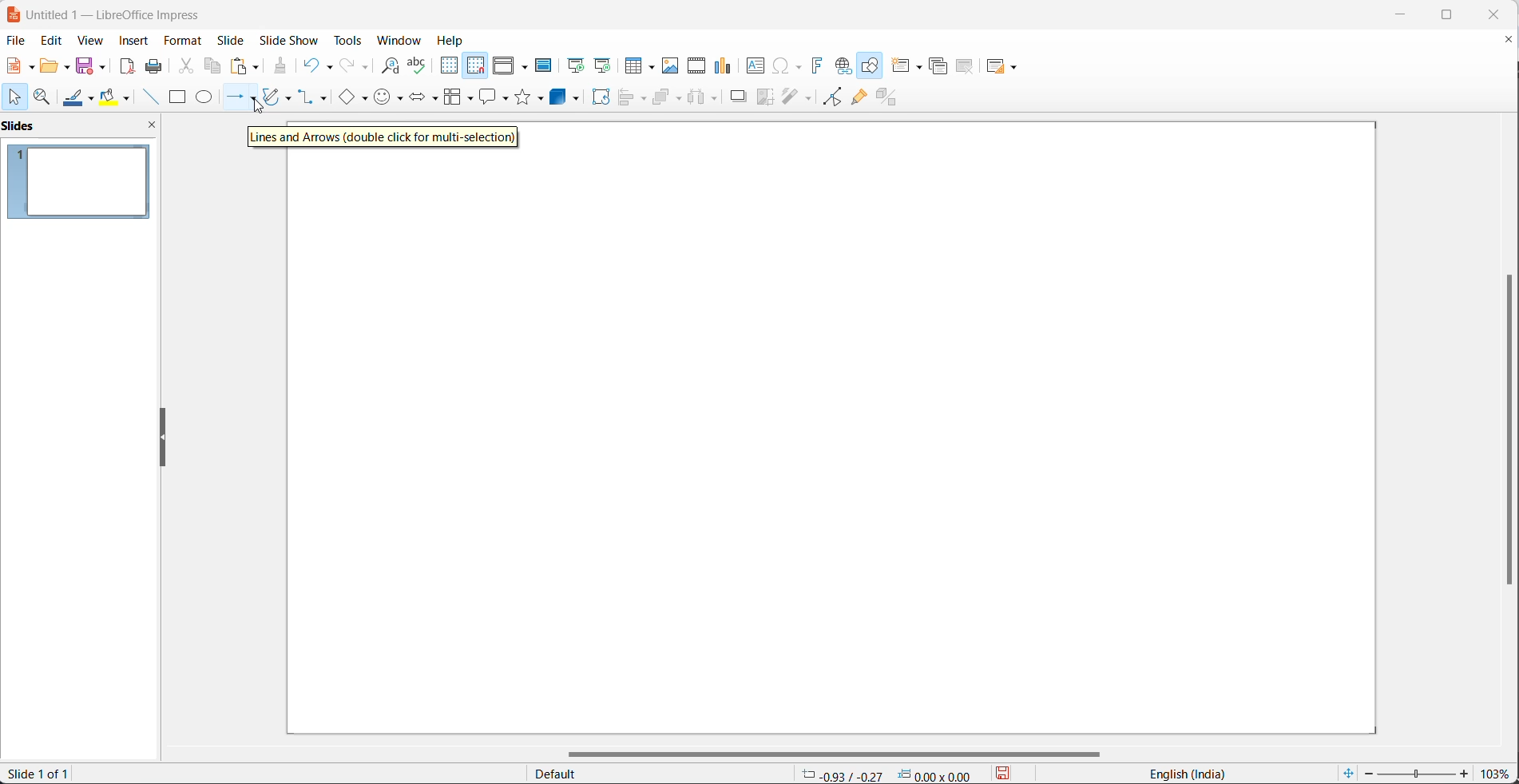 The width and height of the screenshot is (1519, 784). Describe the element at coordinates (1418, 771) in the screenshot. I see `zoom slider` at that location.